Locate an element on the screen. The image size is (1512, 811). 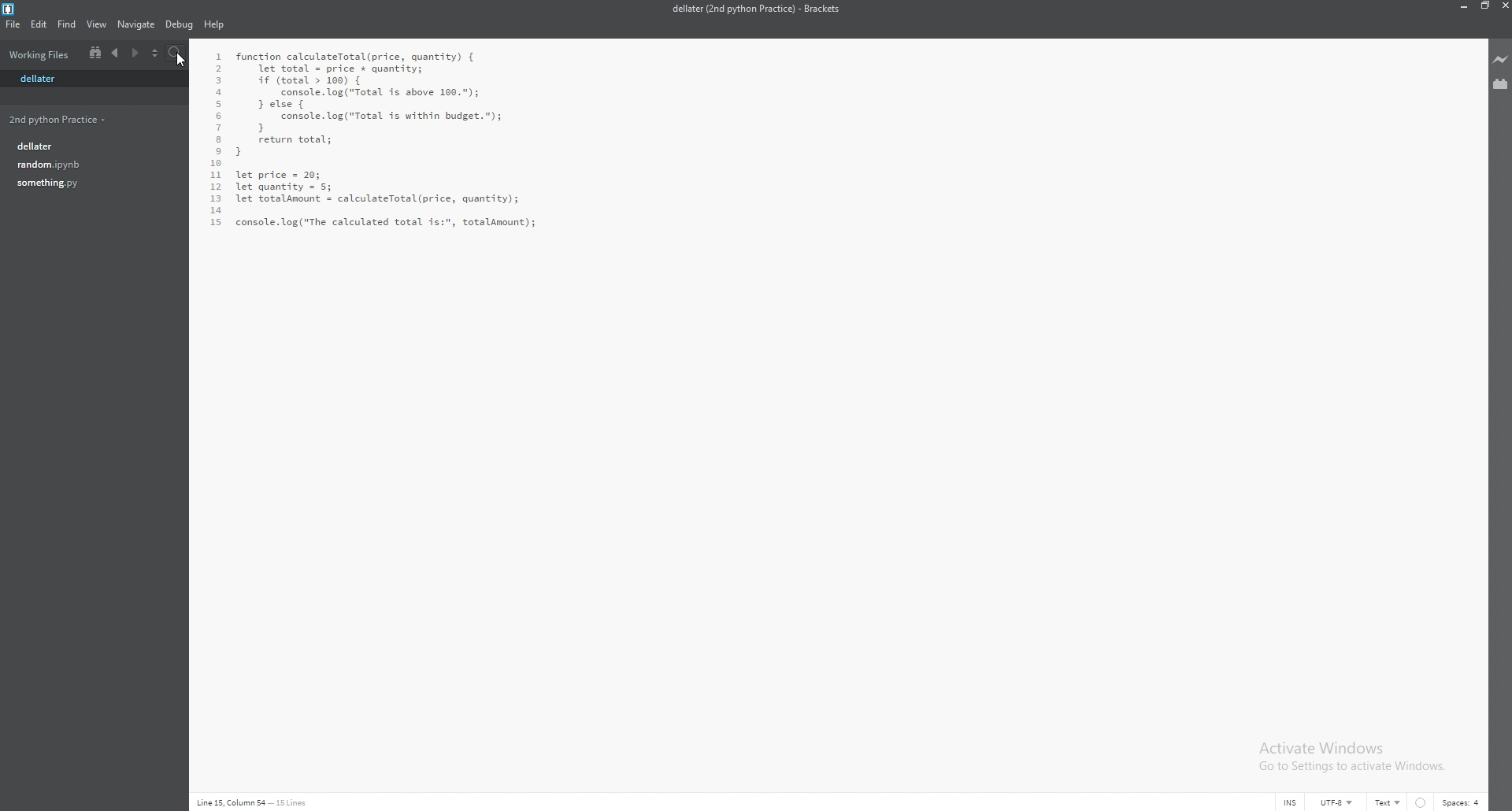
2 is located at coordinates (219, 69).